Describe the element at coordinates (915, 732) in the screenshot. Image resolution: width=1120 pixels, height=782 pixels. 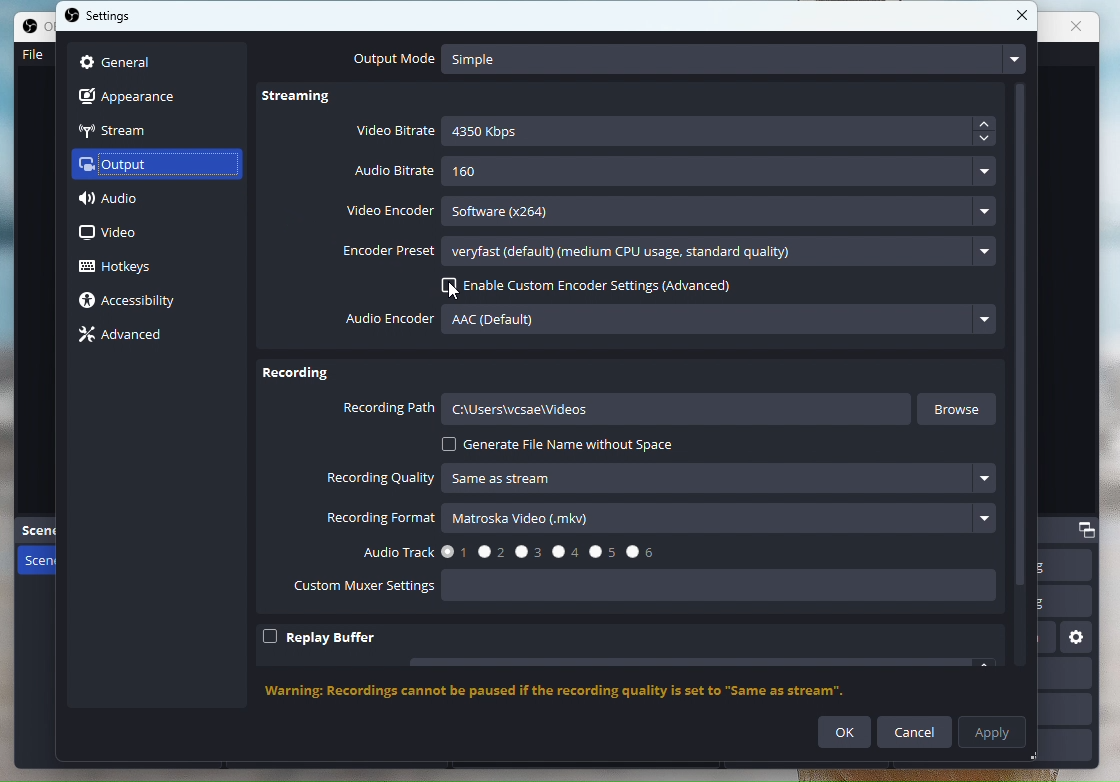
I see `Cancel` at that location.